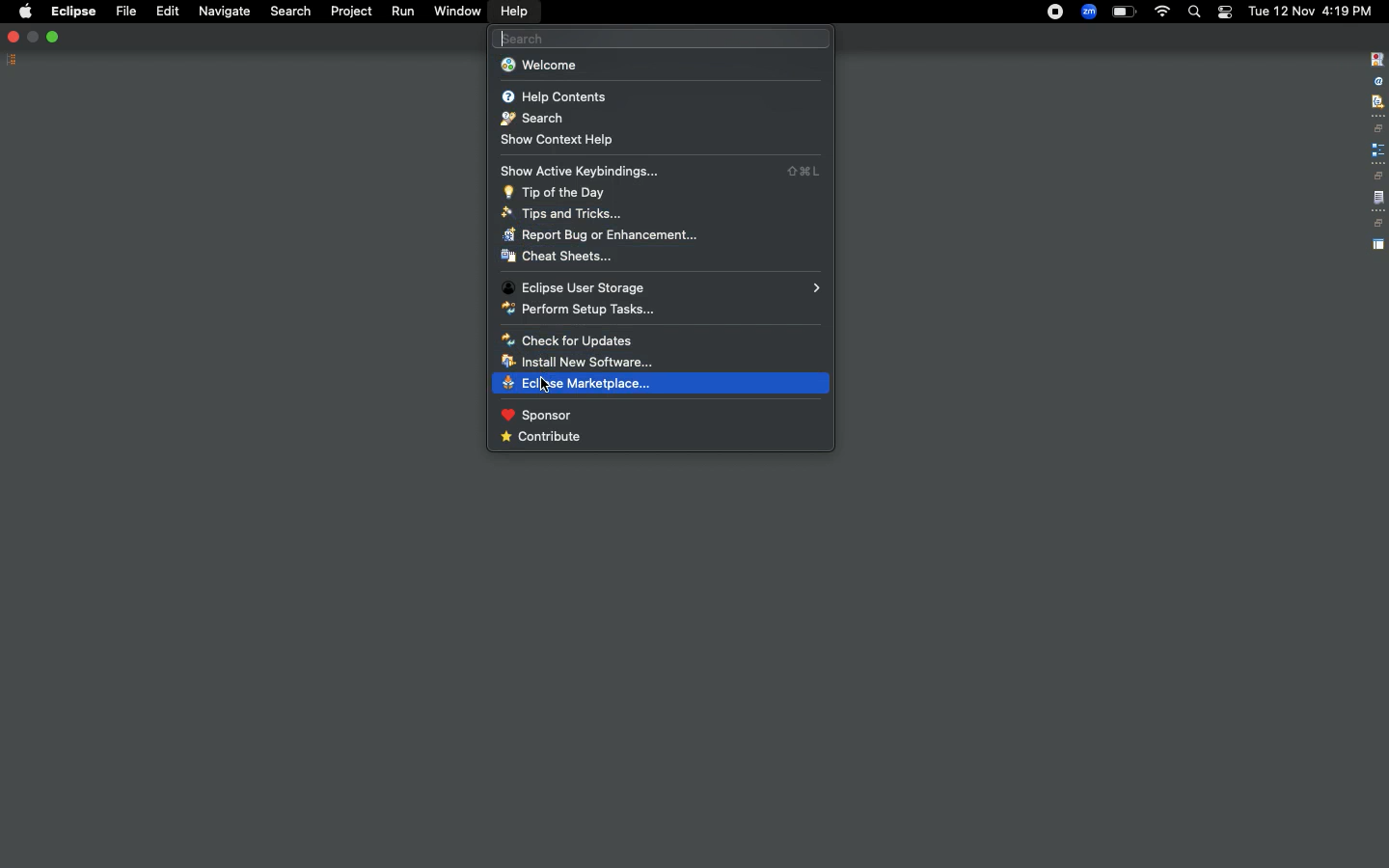 The height and width of the screenshot is (868, 1389). I want to click on attribute, so click(1376, 82).